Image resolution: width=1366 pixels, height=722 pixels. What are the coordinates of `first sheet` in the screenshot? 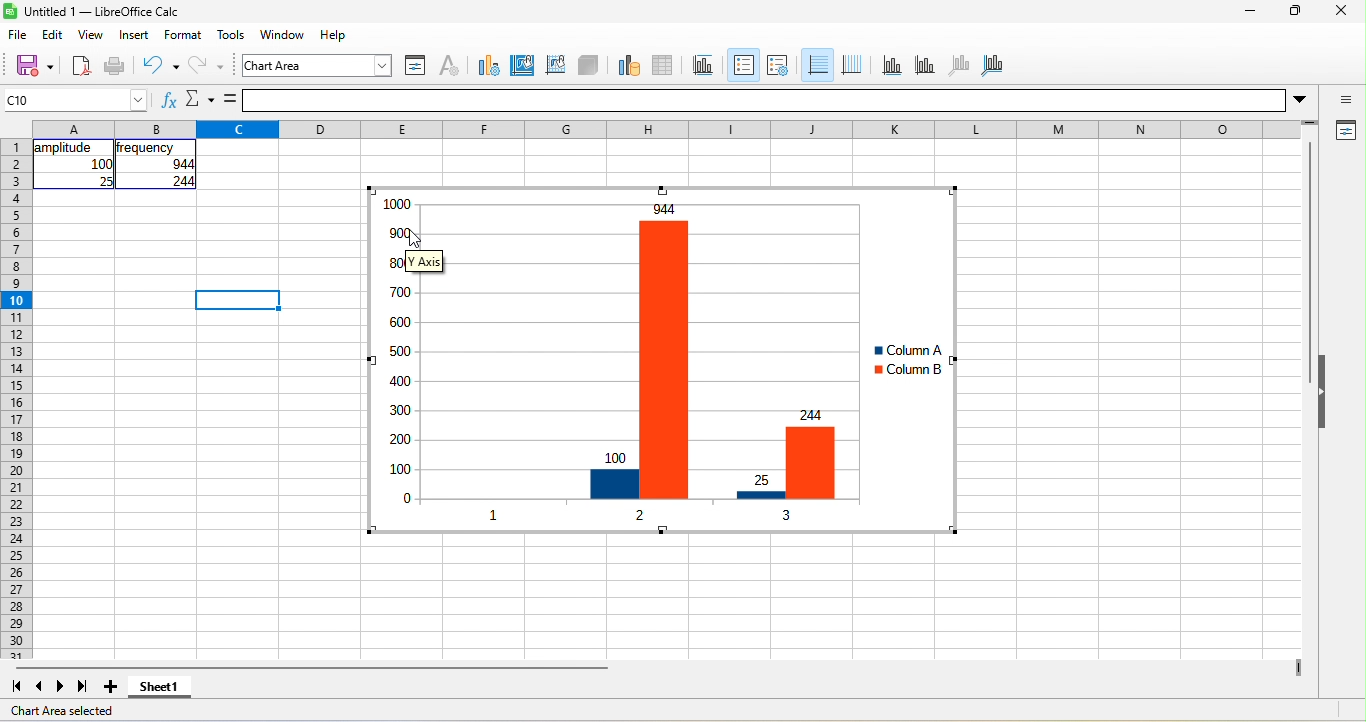 It's located at (14, 685).